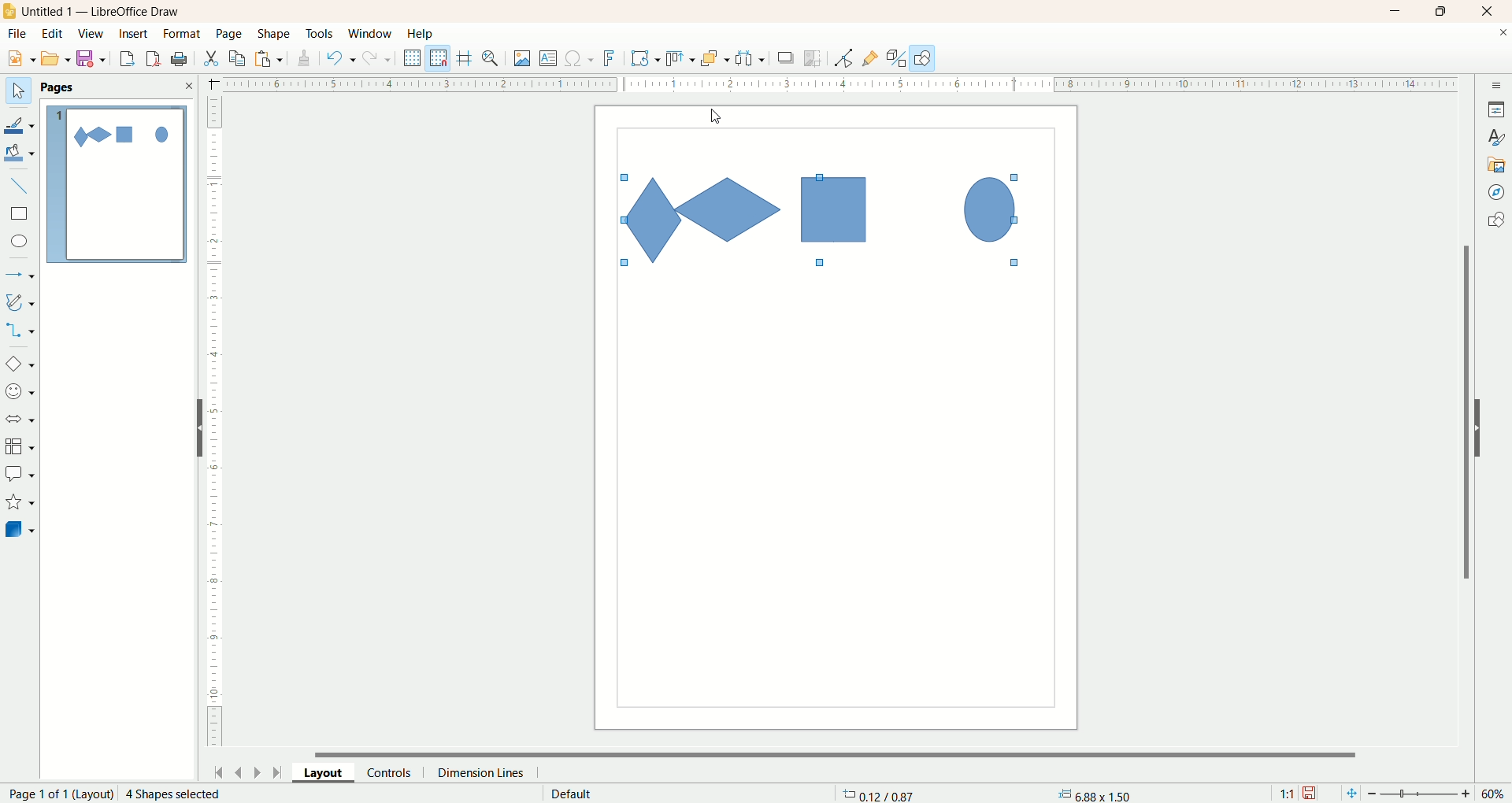 This screenshot has width=1512, height=803. Describe the element at coordinates (193, 431) in the screenshot. I see `hide` at that location.